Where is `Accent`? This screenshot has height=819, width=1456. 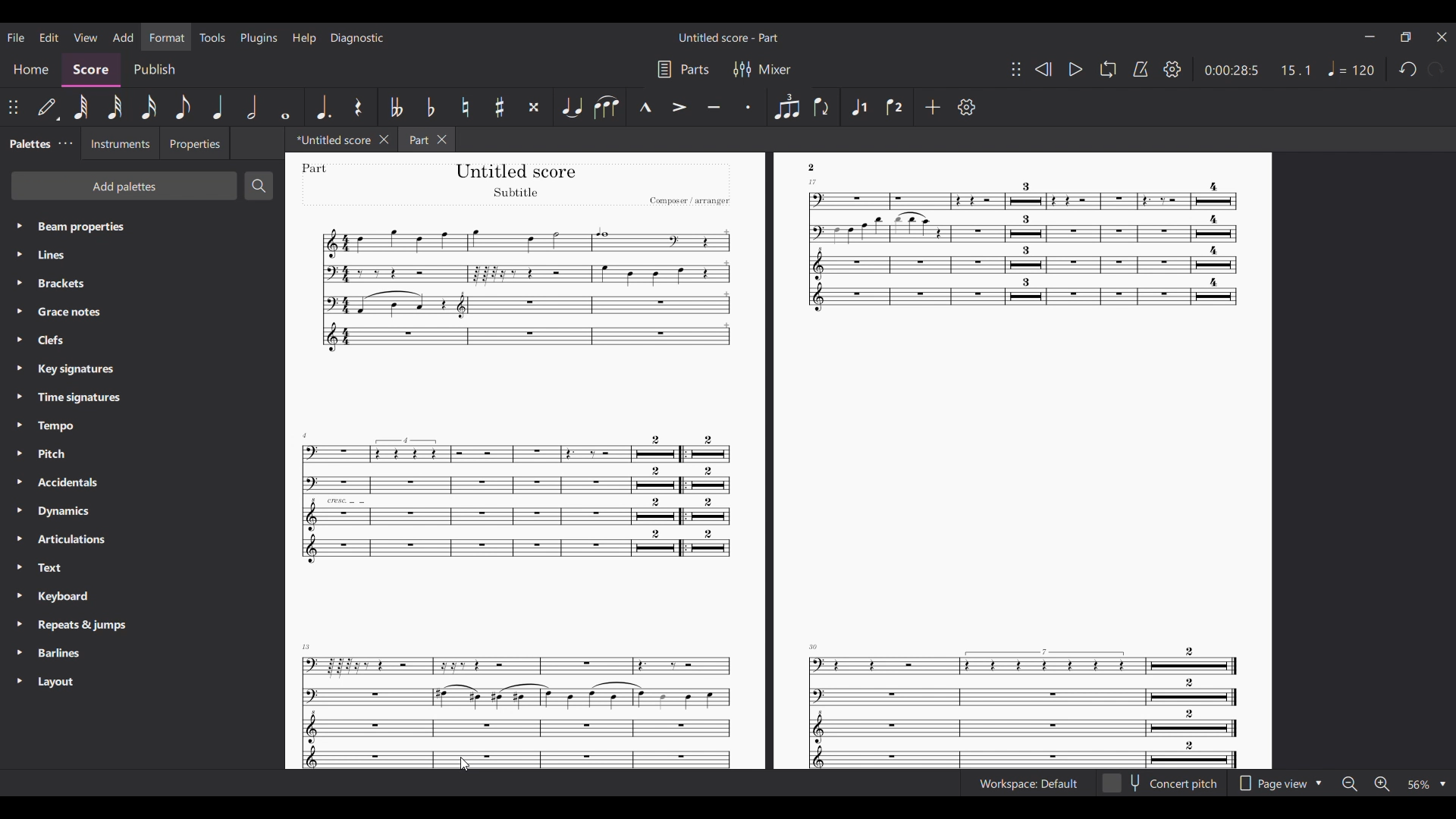
Accent is located at coordinates (678, 107).